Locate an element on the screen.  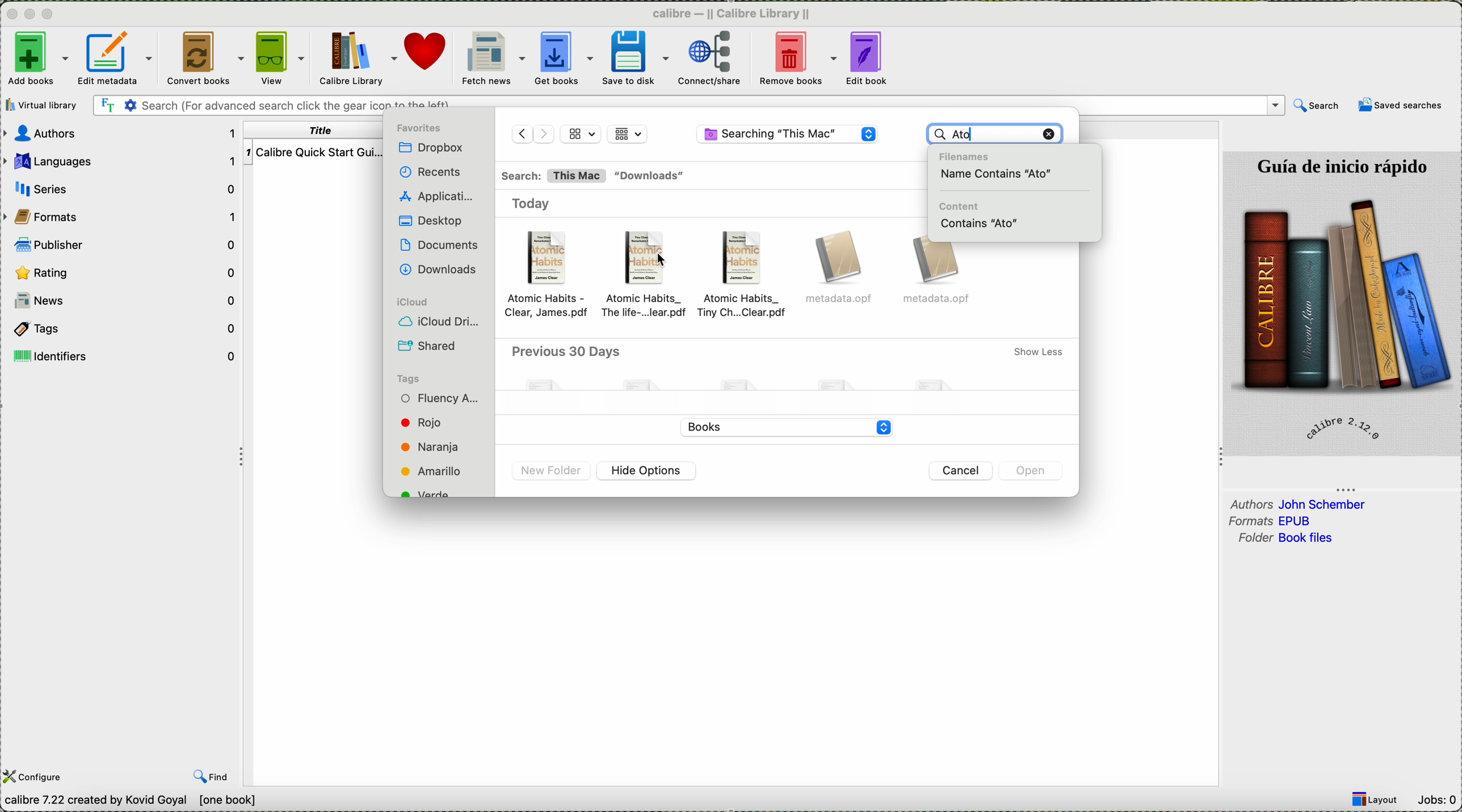
get books is located at coordinates (564, 57).